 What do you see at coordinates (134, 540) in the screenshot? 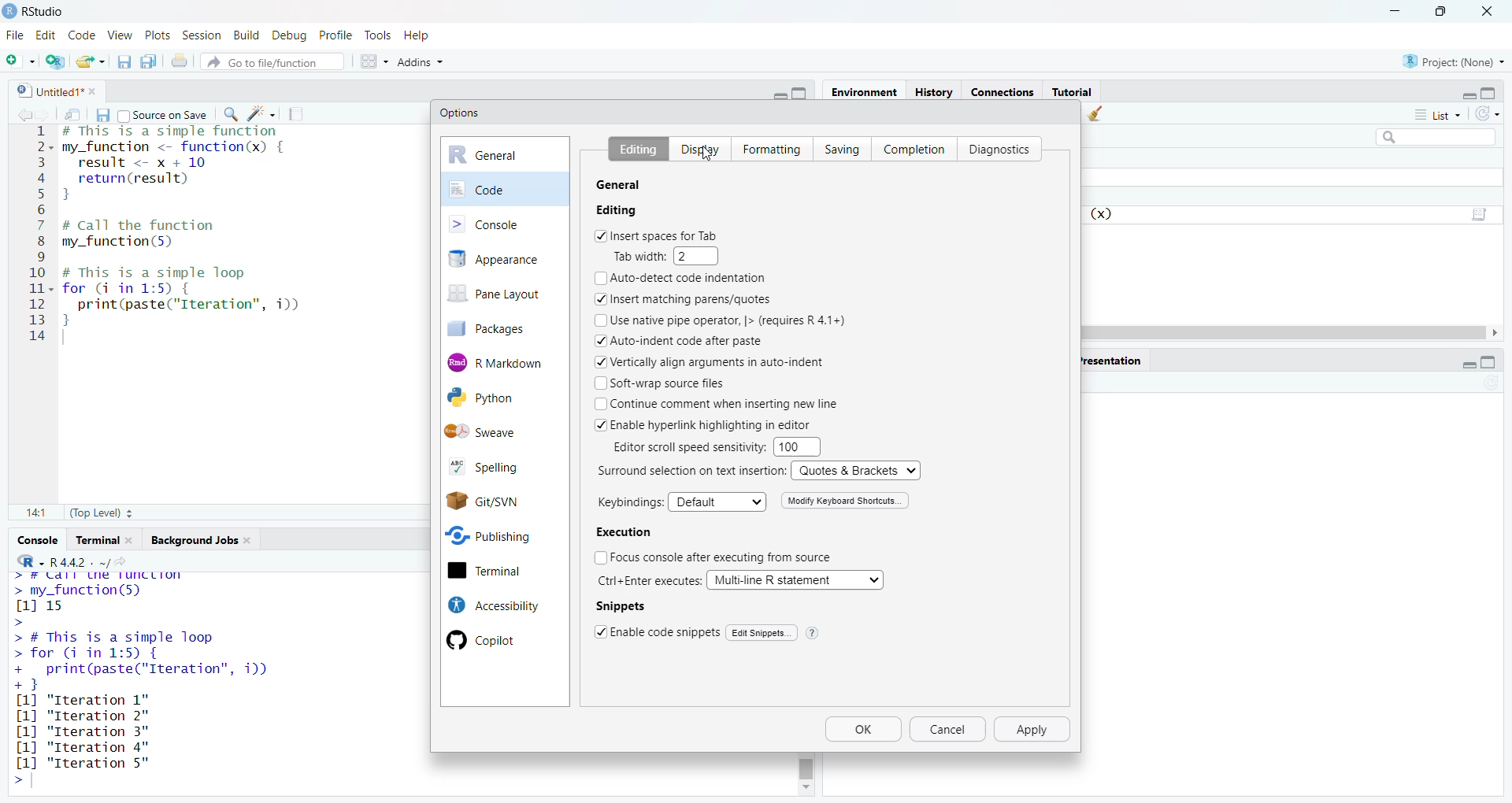
I see `close ` at bounding box center [134, 540].